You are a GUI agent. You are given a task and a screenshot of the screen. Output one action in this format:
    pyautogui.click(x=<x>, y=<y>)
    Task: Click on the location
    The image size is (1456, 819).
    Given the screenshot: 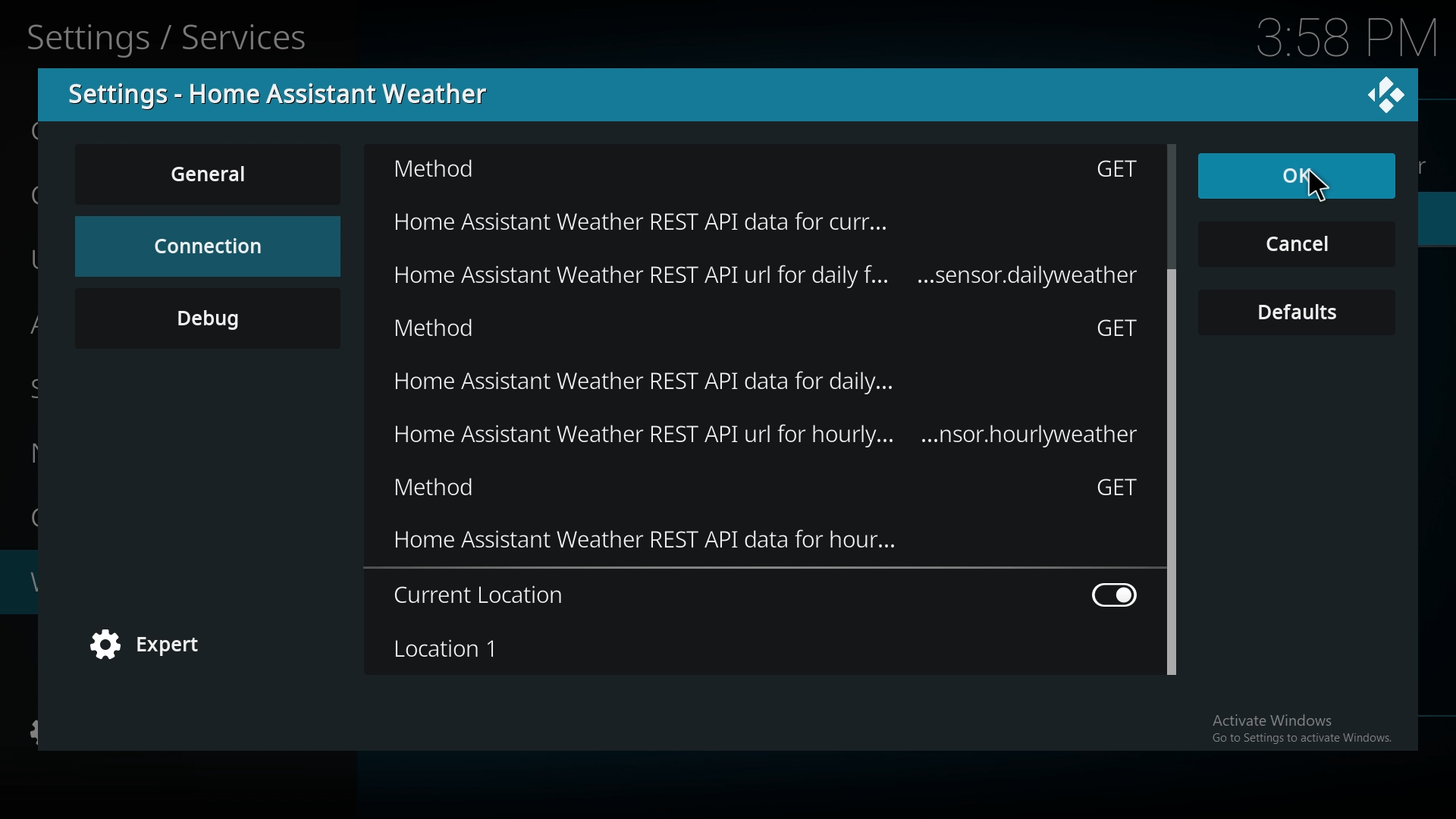 What is the action you would take?
    pyautogui.click(x=763, y=648)
    